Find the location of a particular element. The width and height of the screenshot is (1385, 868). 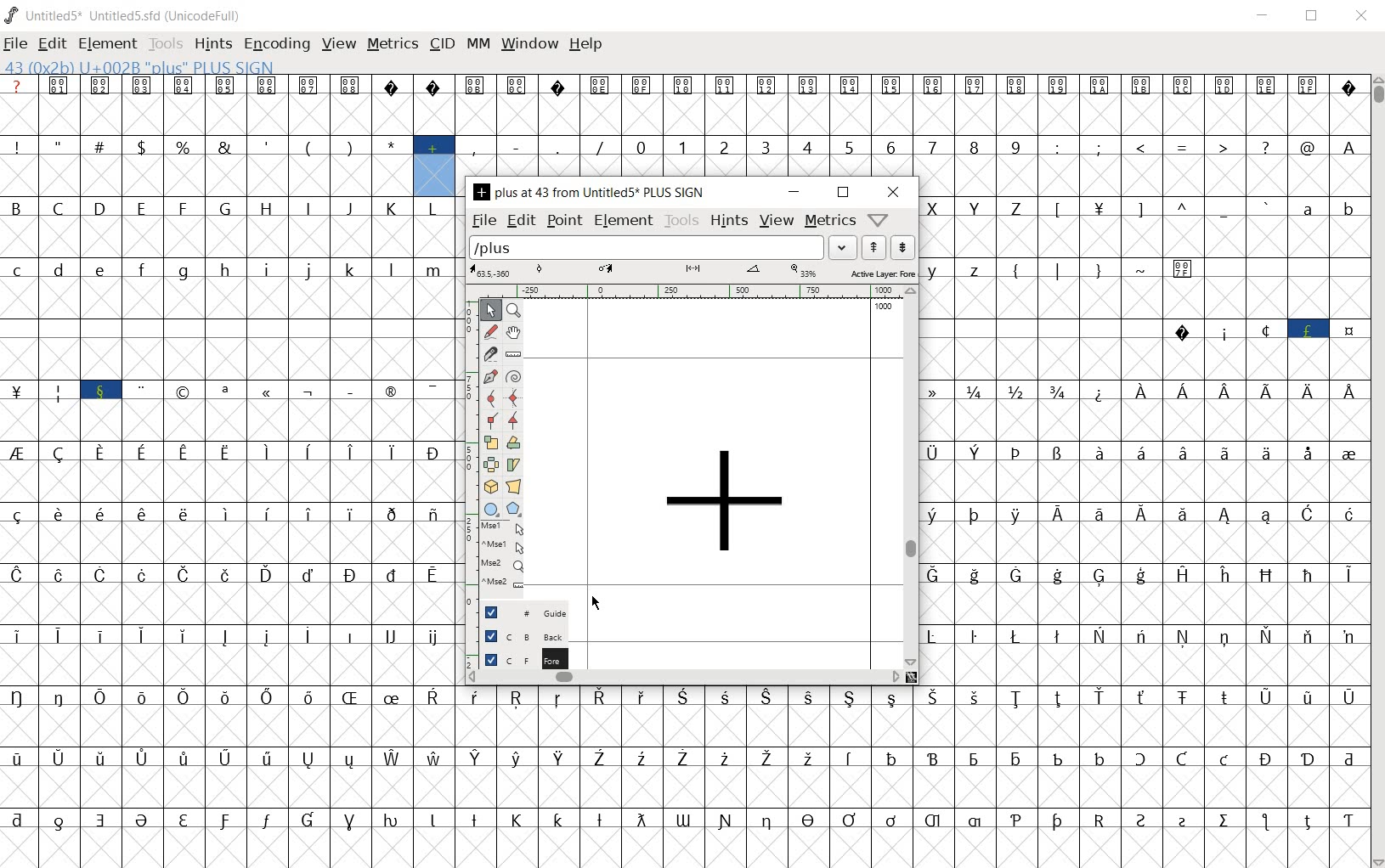

rectangle or ellipse is located at coordinates (491, 508).